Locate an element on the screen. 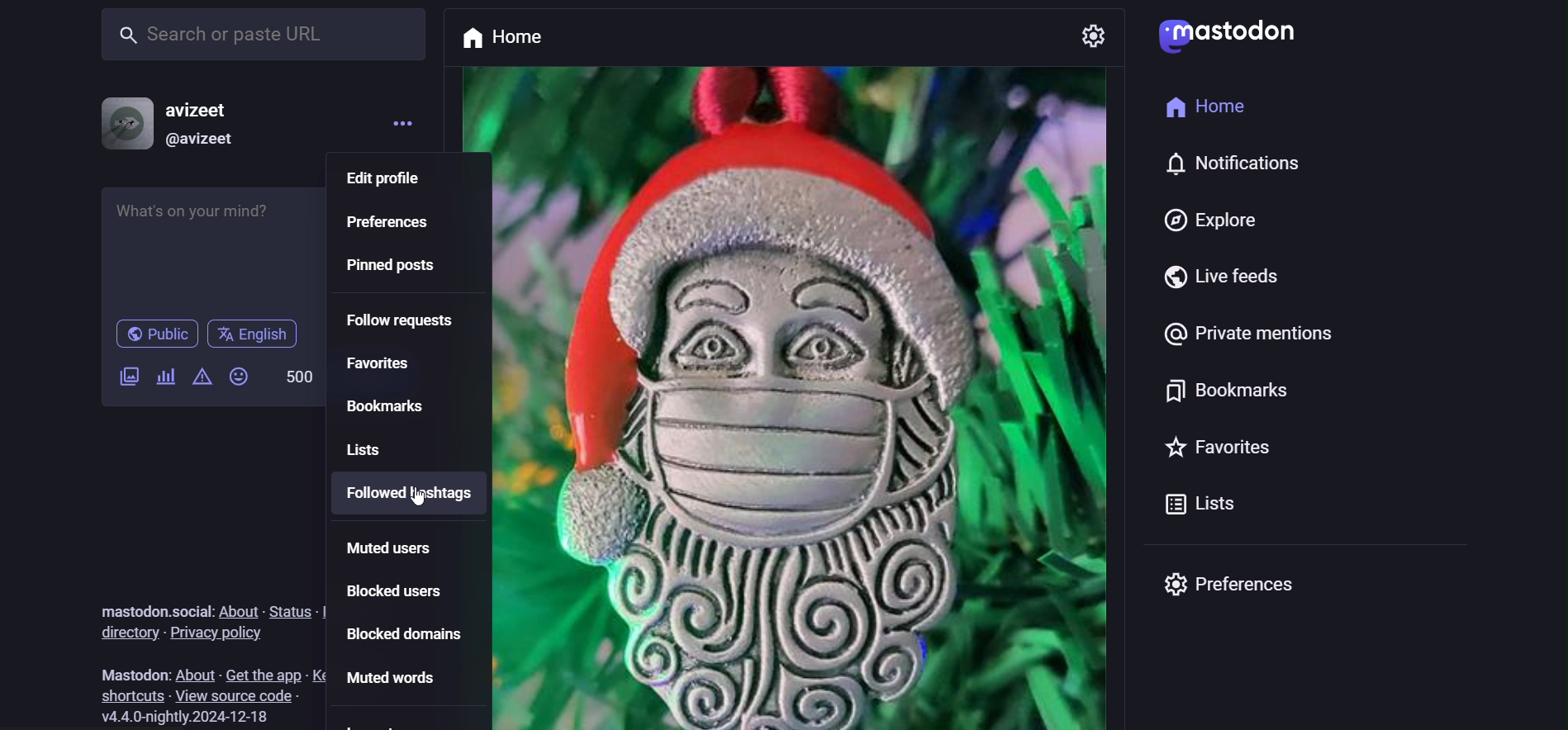 Image resolution: width=1568 pixels, height=730 pixels. lists is located at coordinates (1195, 506).